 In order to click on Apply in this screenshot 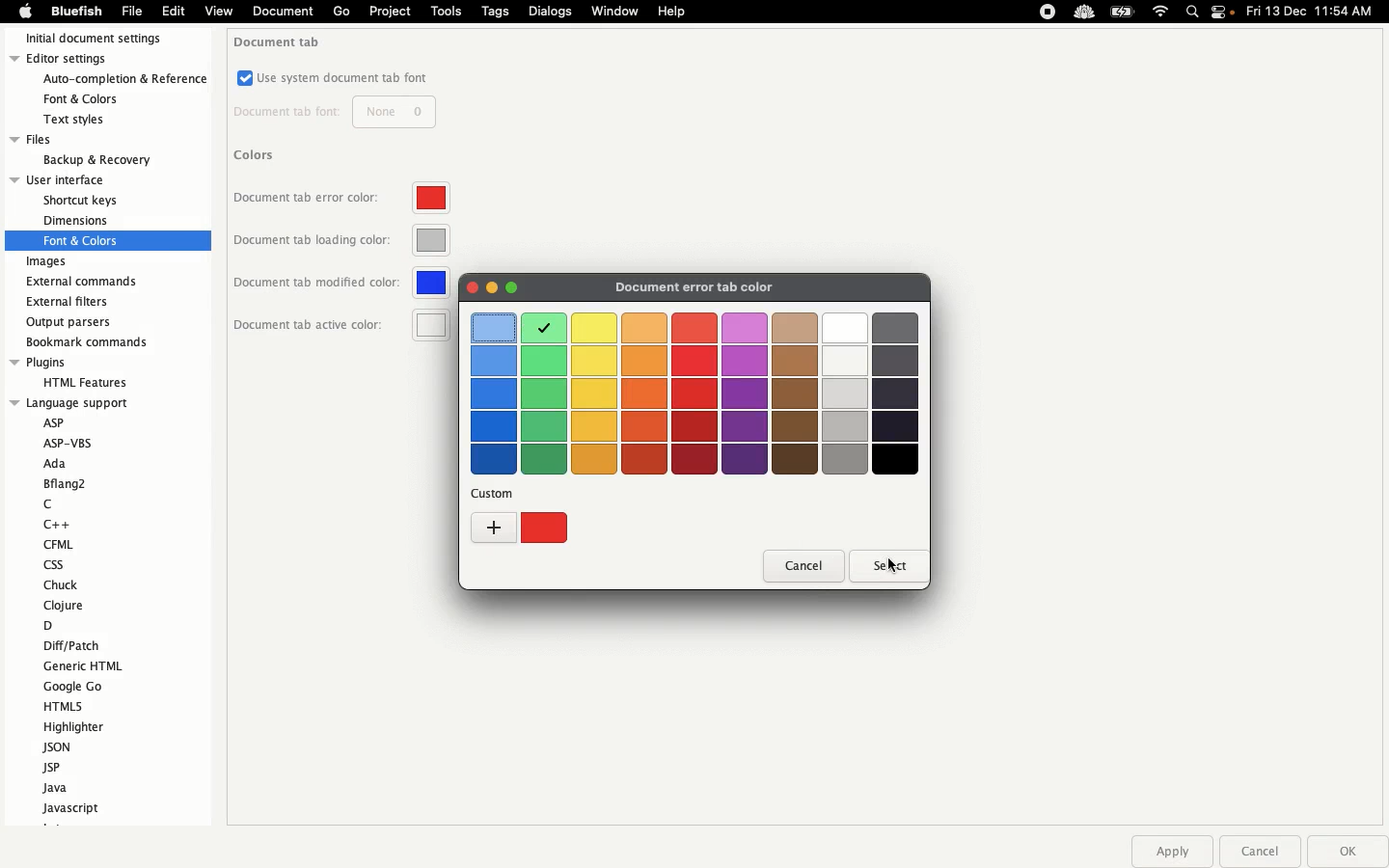, I will do `click(1171, 852)`.